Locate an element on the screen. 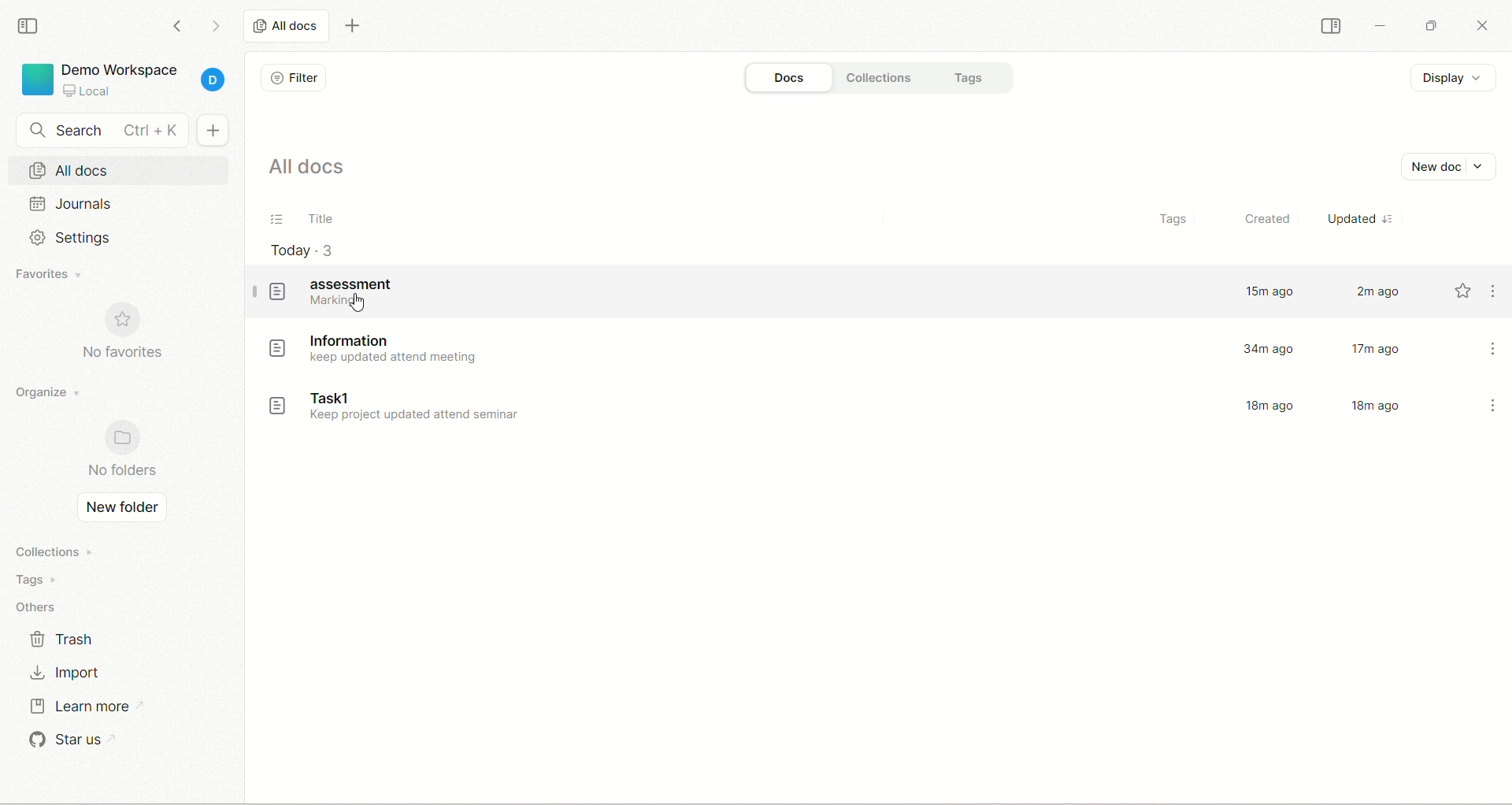  Demo Workspace is located at coordinates (124, 78).